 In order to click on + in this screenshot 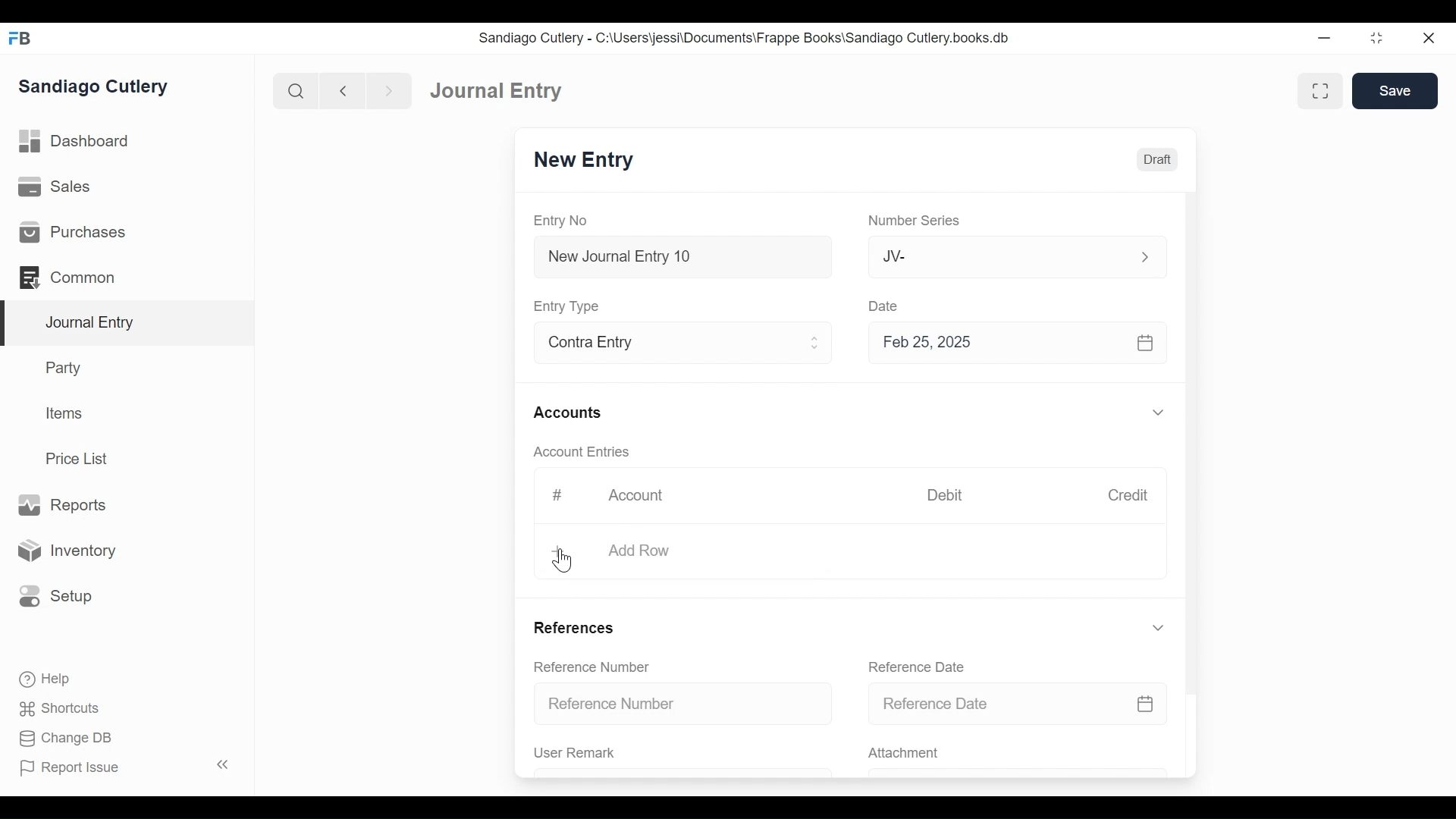, I will do `click(558, 551)`.